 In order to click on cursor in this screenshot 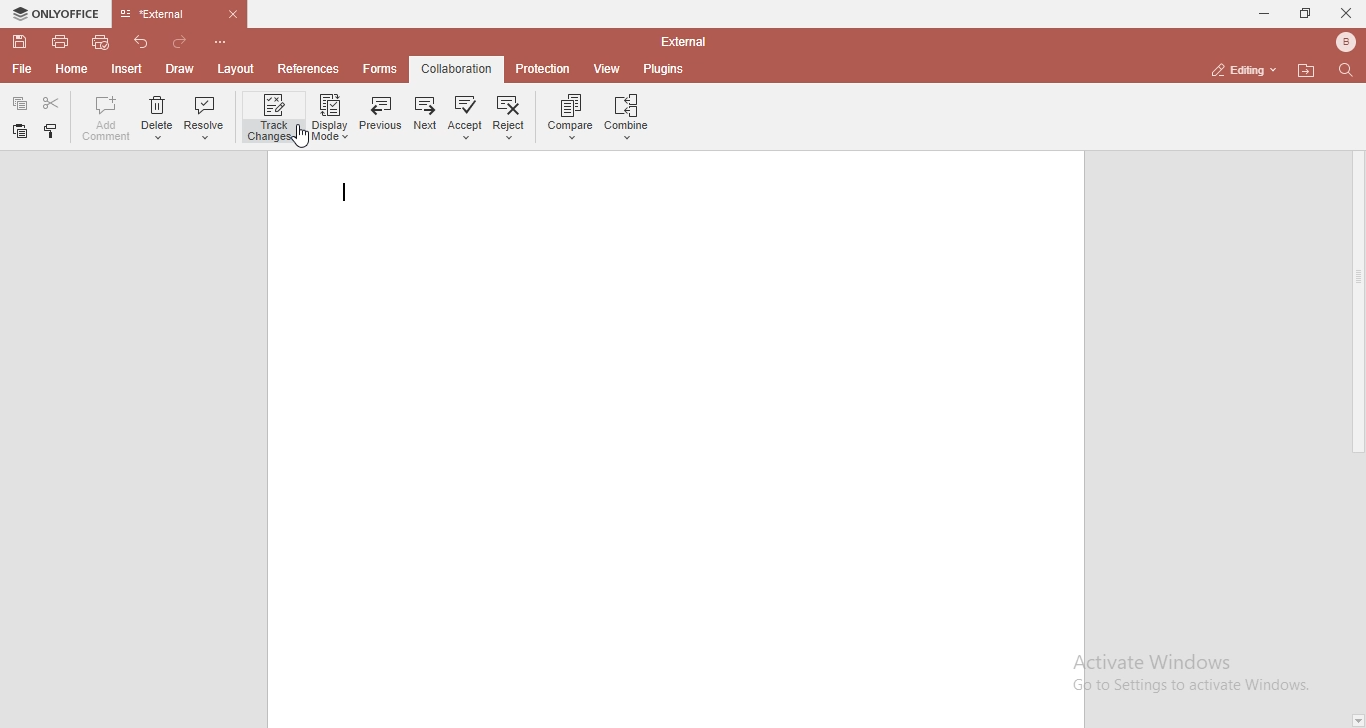, I will do `click(298, 135)`.